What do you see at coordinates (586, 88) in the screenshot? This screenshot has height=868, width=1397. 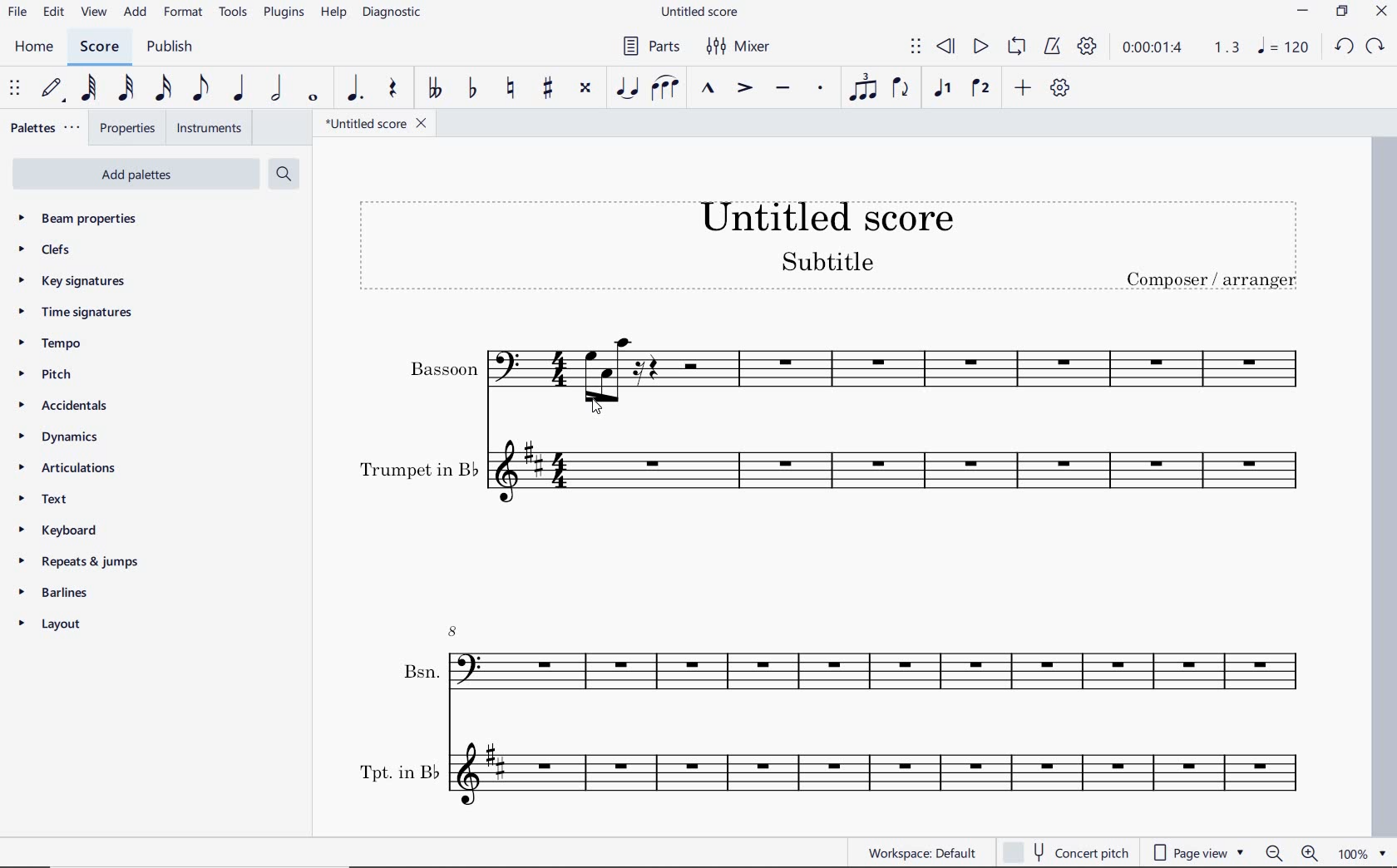 I see `toggle double-sharp` at bounding box center [586, 88].